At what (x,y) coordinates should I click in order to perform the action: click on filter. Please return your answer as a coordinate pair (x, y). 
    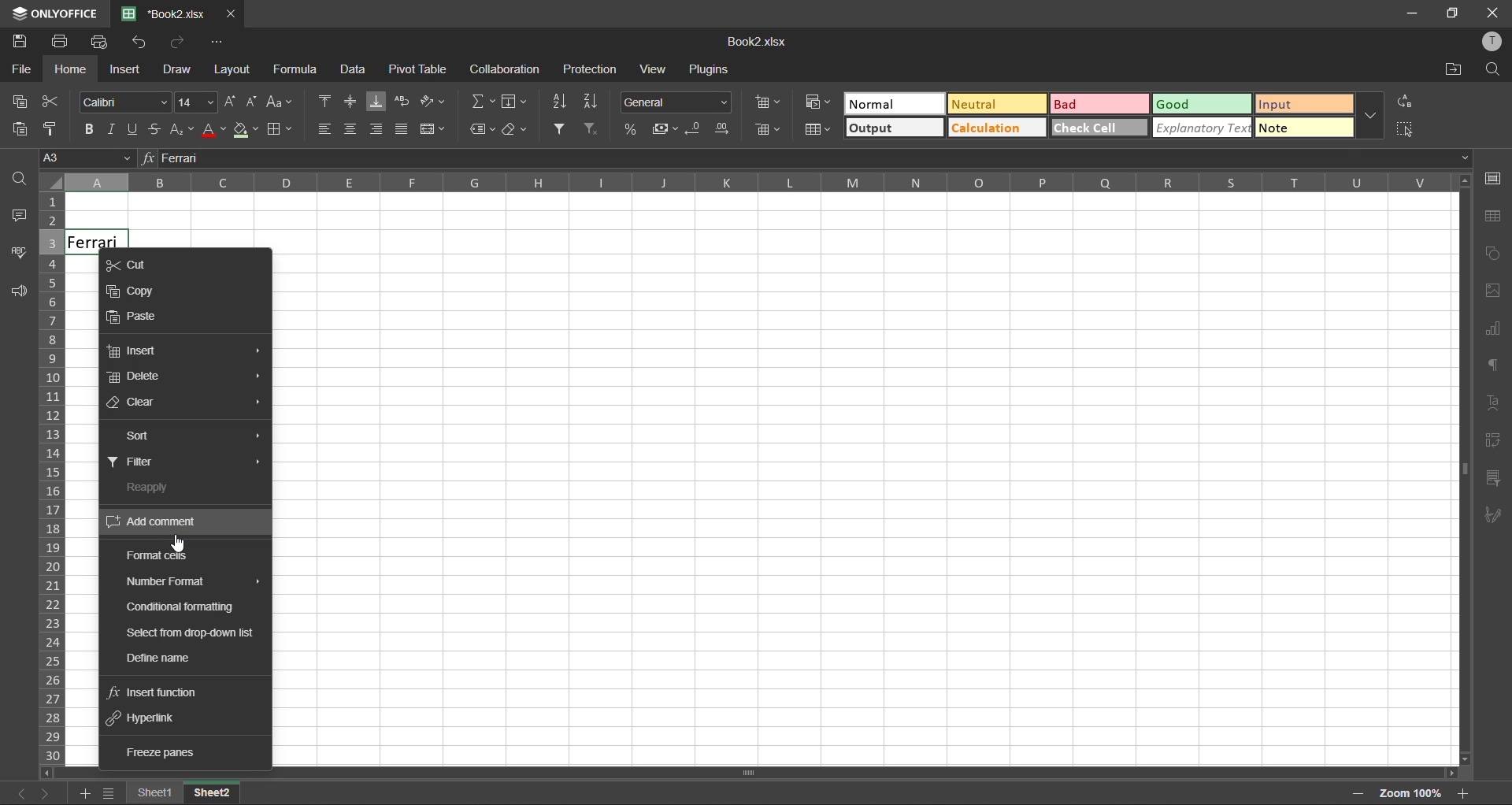
    Looking at the image, I should click on (560, 128).